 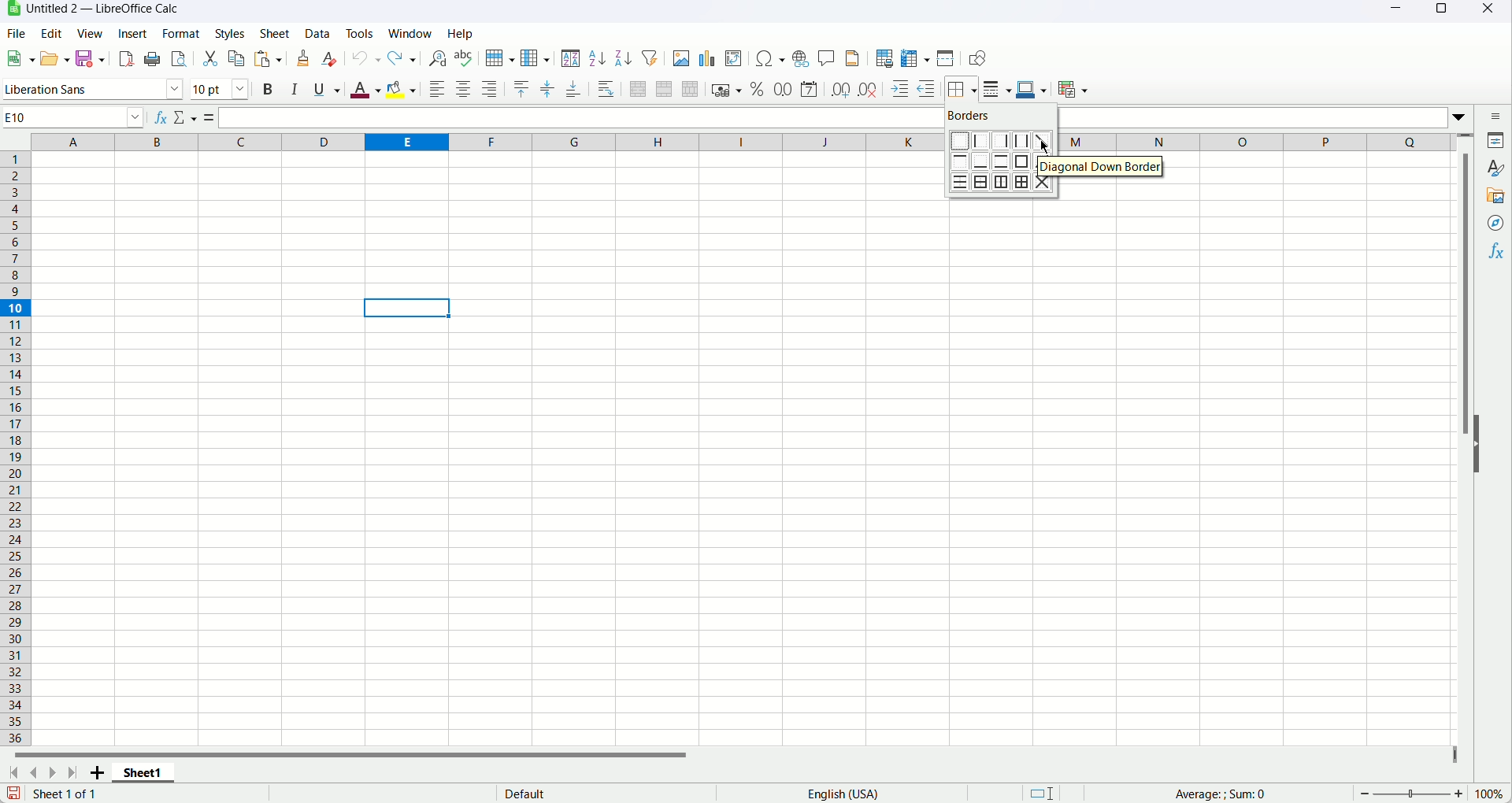 I want to click on Close, so click(x=1490, y=13).